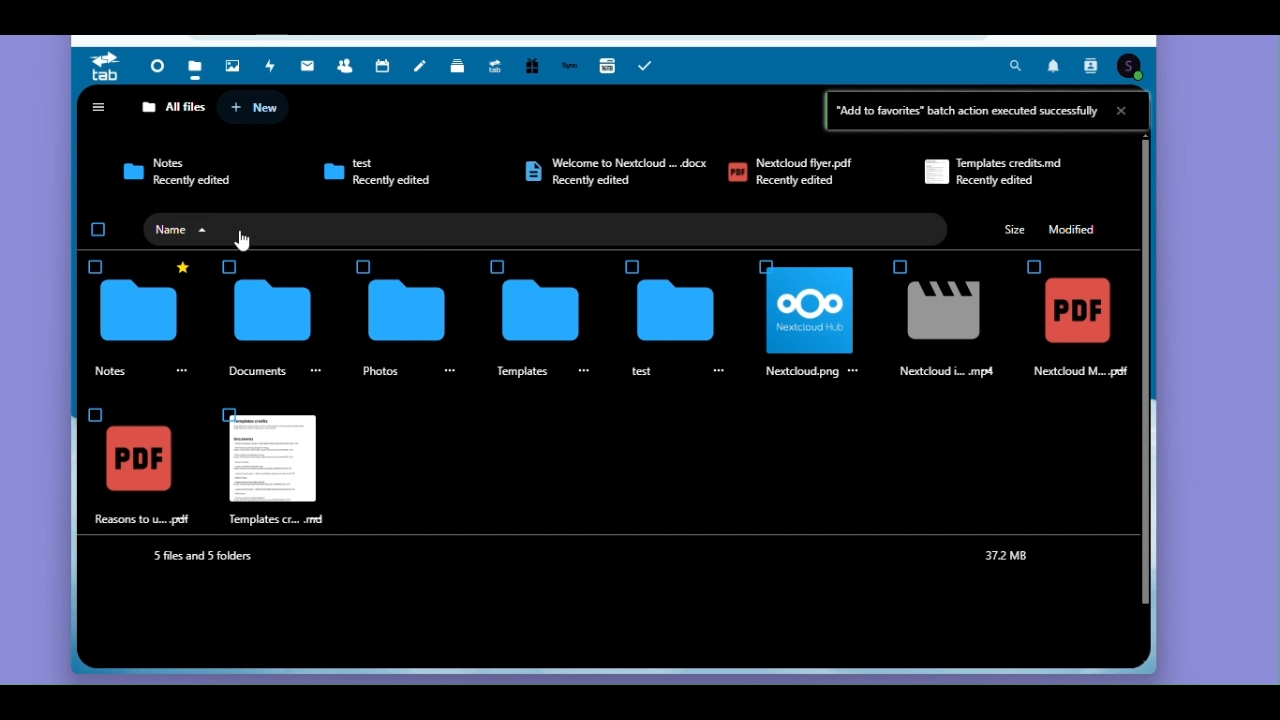 The image size is (1280, 720). I want to click on Activity, so click(267, 66).